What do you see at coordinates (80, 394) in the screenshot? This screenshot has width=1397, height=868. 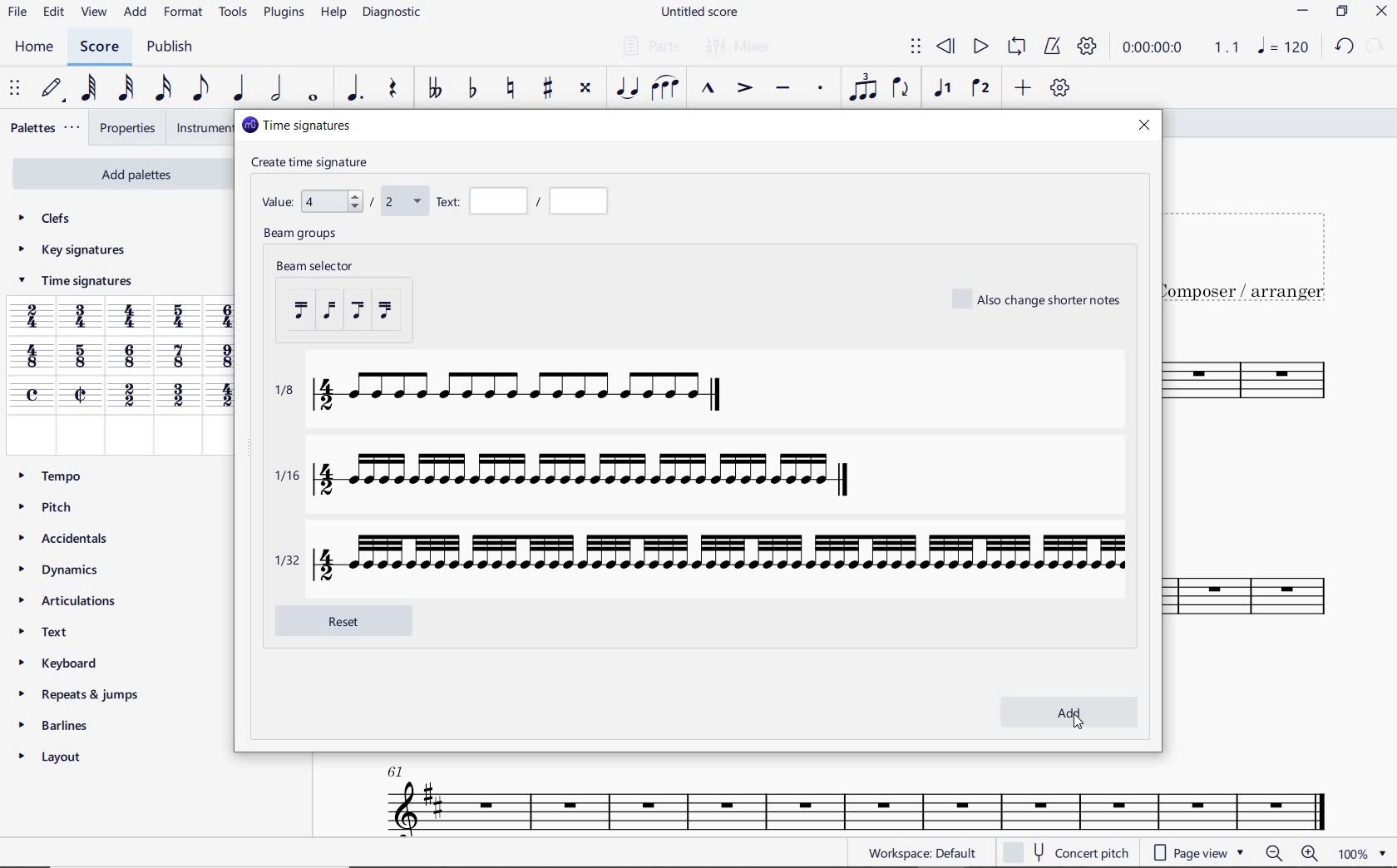 I see `cut time` at bounding box center [80, 394].